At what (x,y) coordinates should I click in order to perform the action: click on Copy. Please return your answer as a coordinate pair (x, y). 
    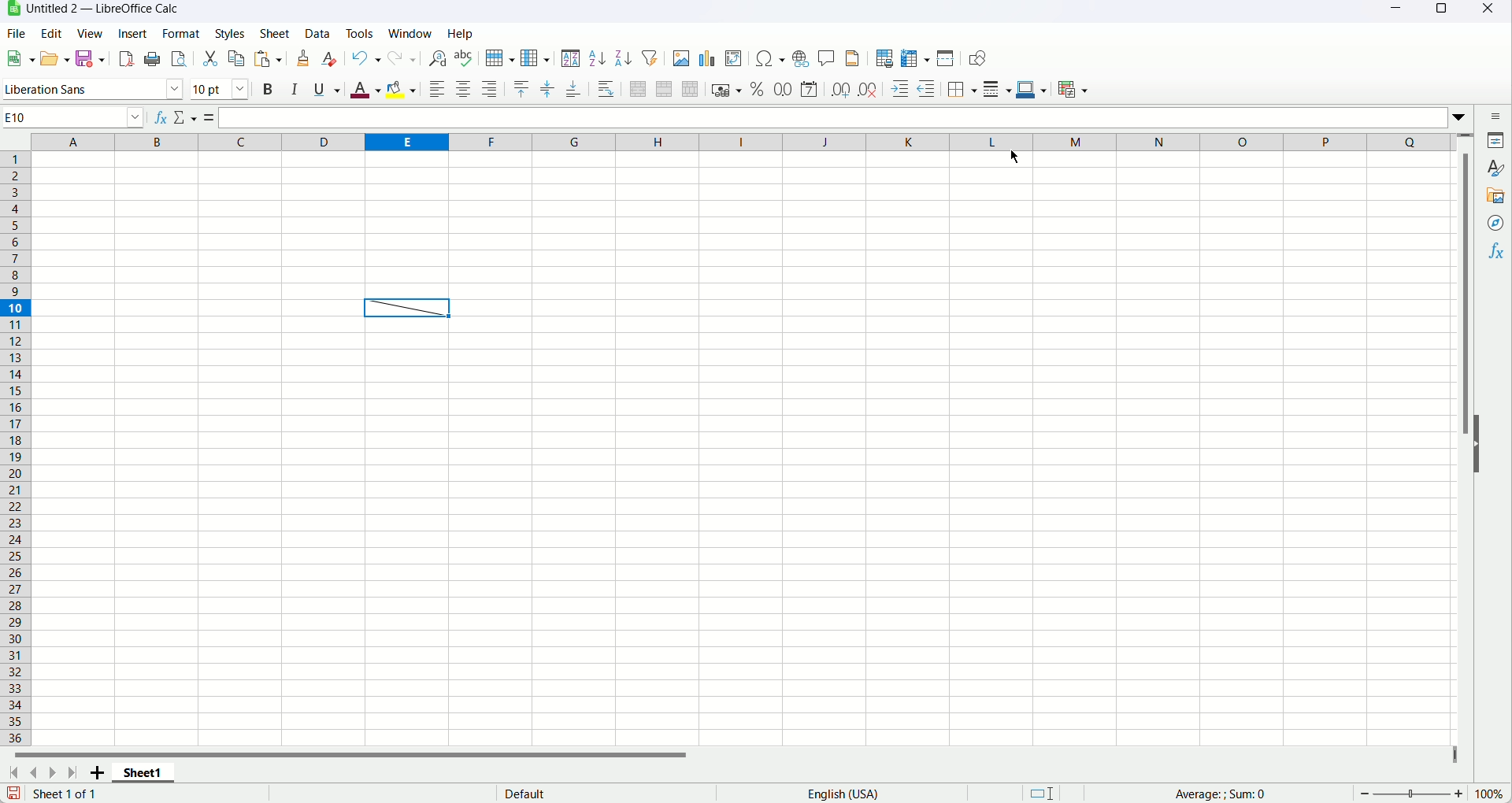
    Looking at the image, I should click on (237, 57).